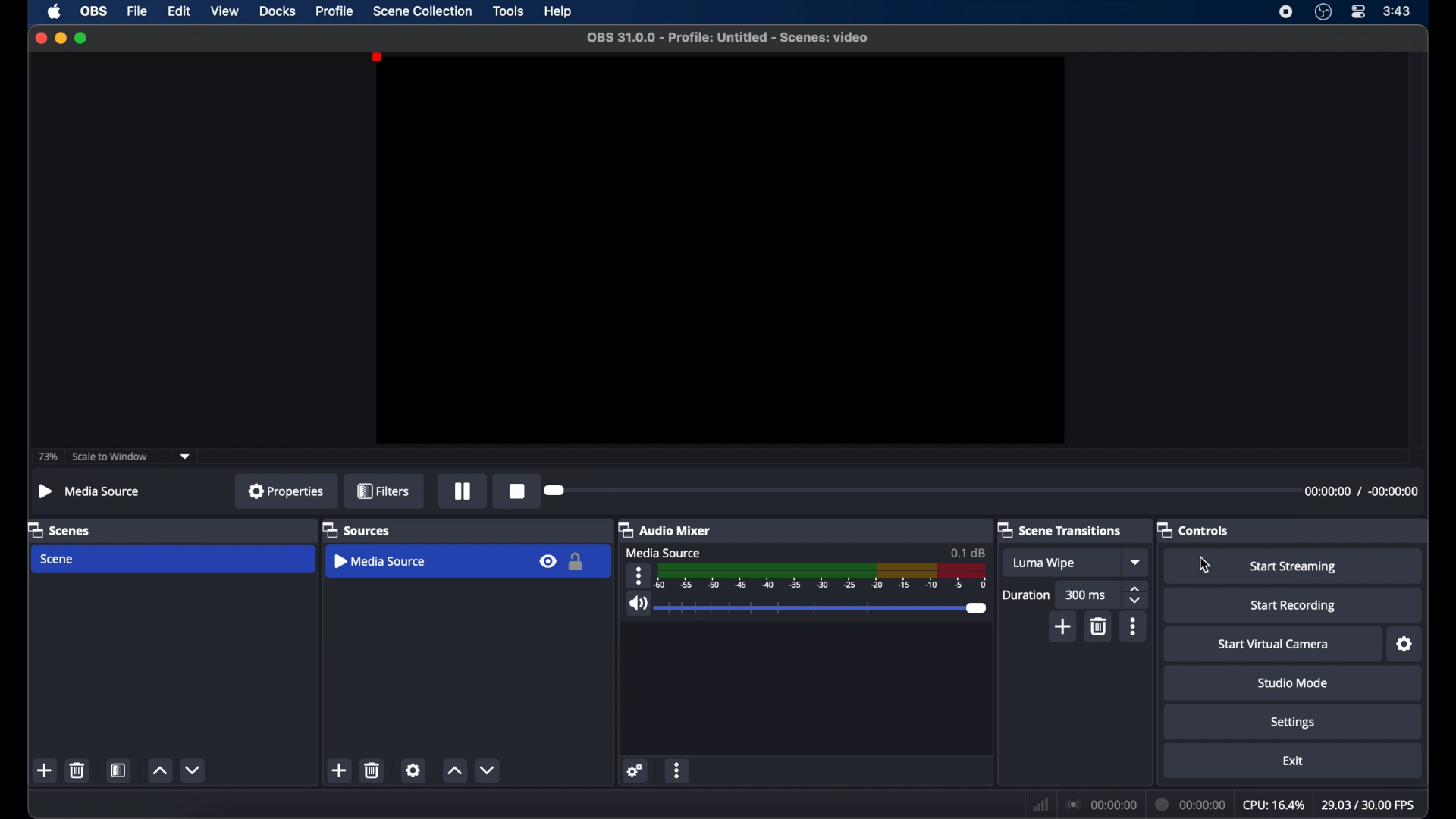  What do you see at coordinates (463, 491) in the screenshot?
I see `pause` at bounding box center [463, 491].